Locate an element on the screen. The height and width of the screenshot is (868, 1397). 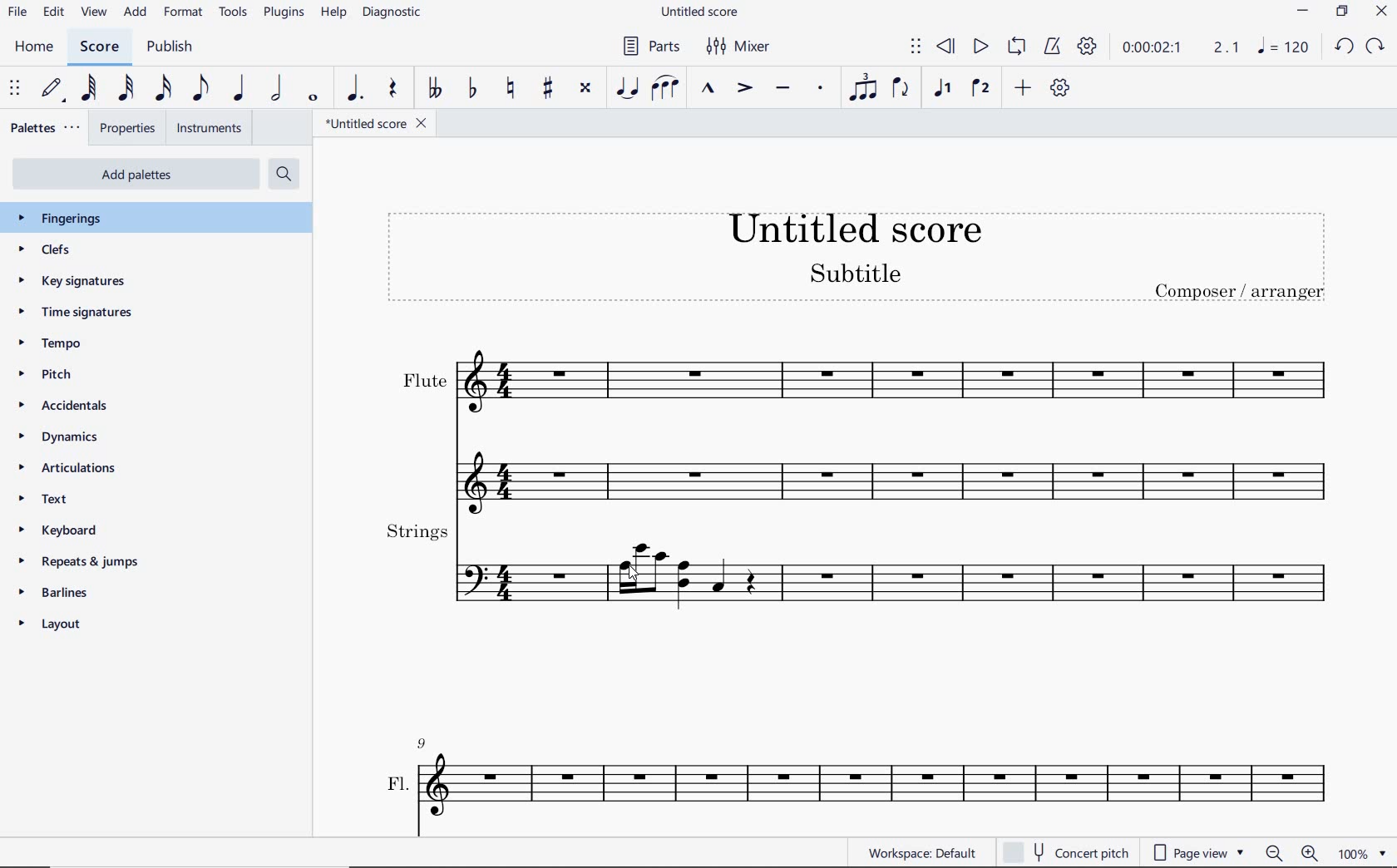
customize toolbar is located at coordinates (1061, 89).